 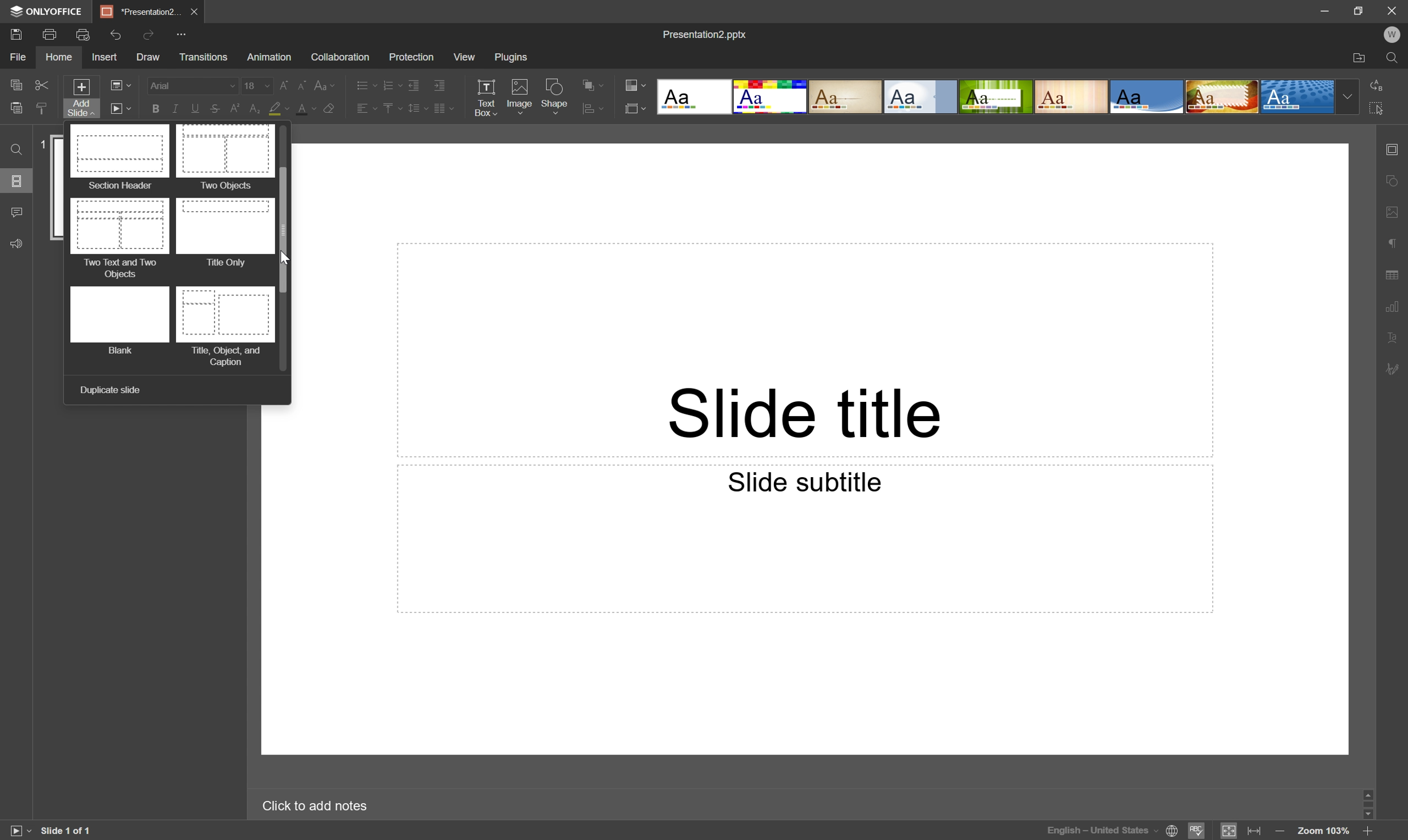 I want to click on Set document language, so click(x=1173, y=833).